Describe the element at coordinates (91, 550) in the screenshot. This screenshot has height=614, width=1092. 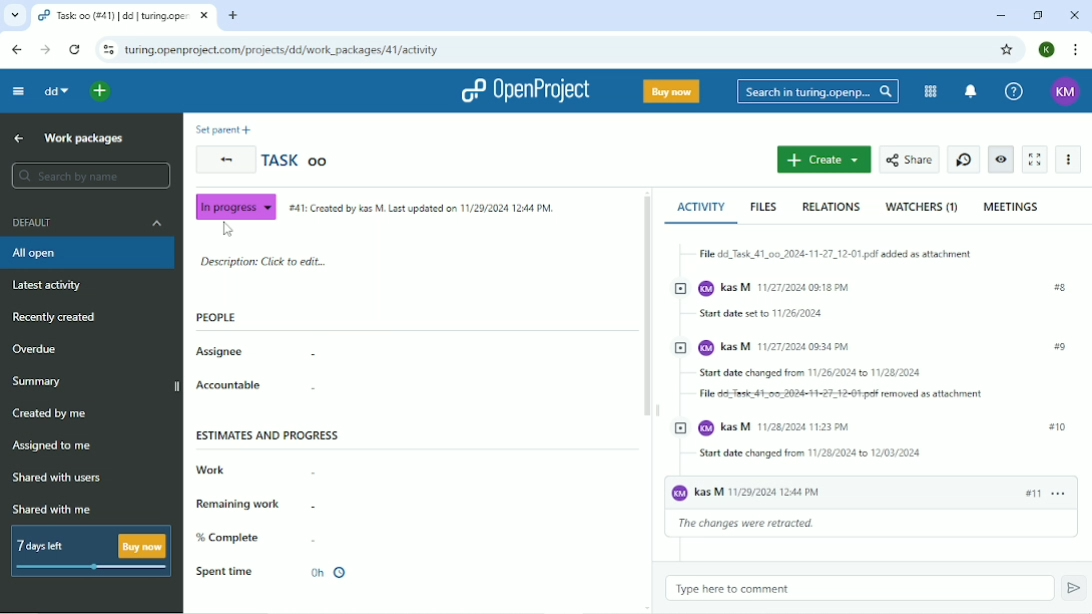
I see `7 days left` at that location.